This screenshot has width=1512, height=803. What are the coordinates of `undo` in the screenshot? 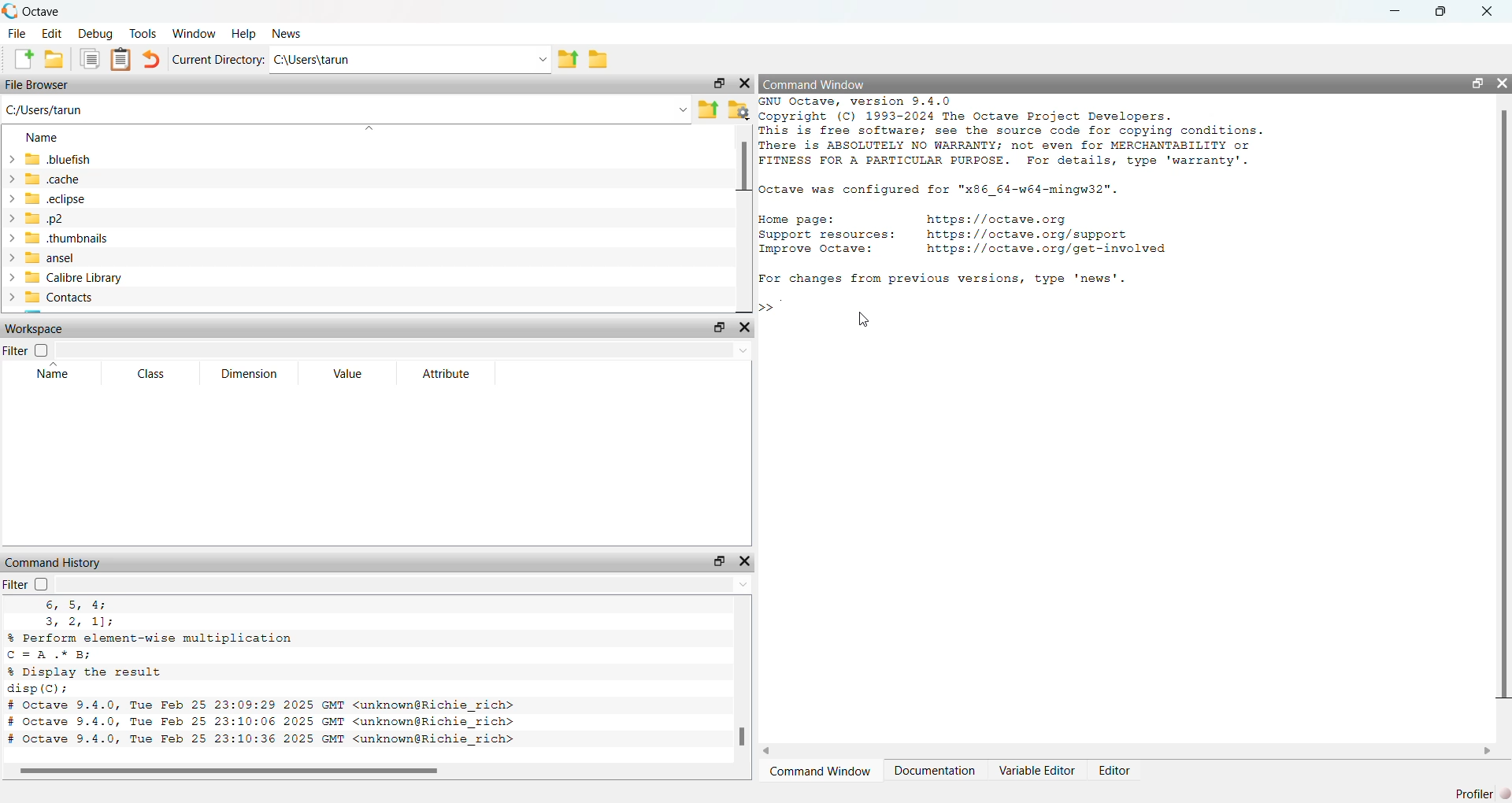 It's located at (151, 60).